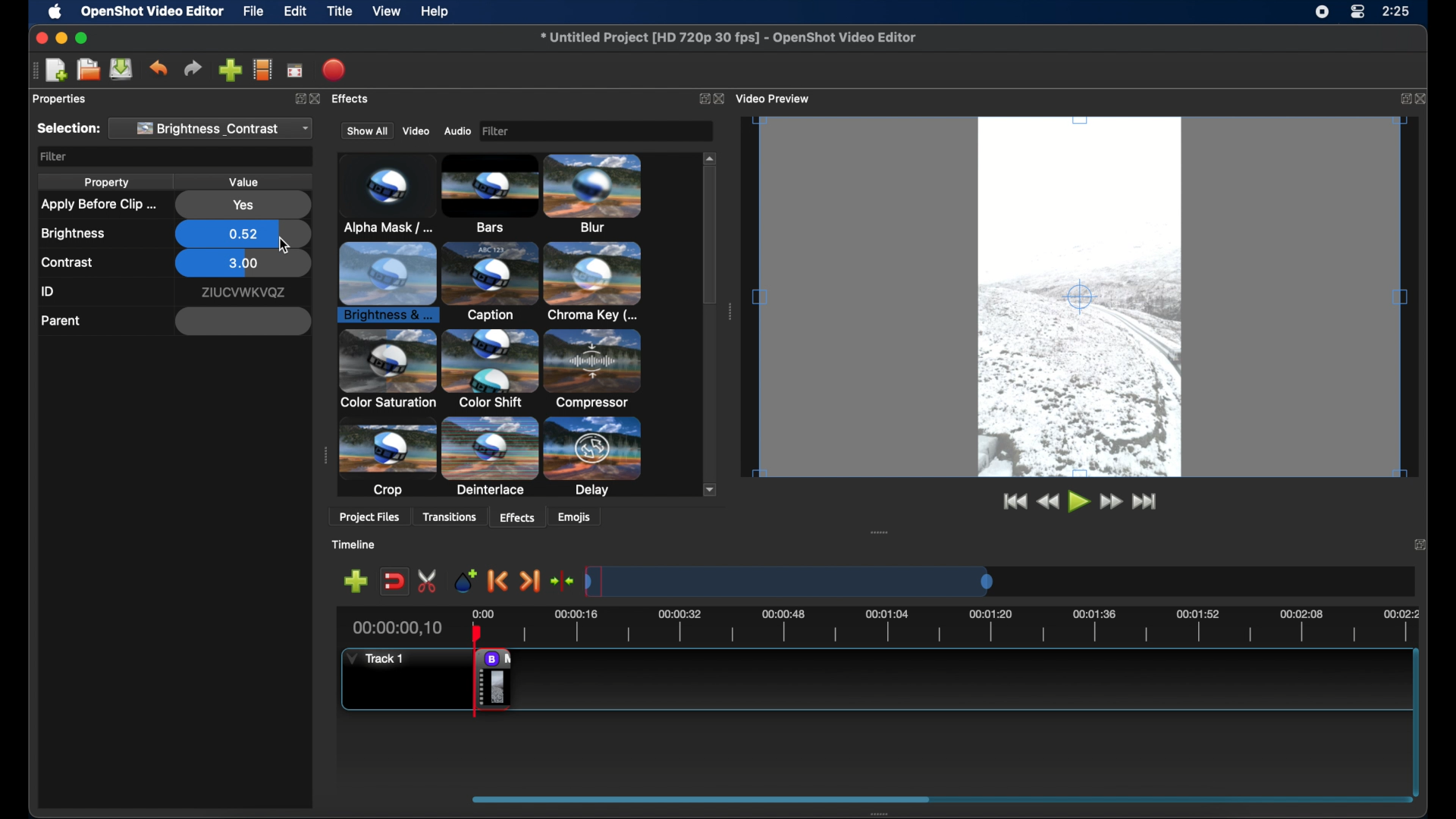 This screenshot has height=819, width=1456. Describe the element at coordinates (324, 456) in the screenshot. I see `drag handle` at that location.